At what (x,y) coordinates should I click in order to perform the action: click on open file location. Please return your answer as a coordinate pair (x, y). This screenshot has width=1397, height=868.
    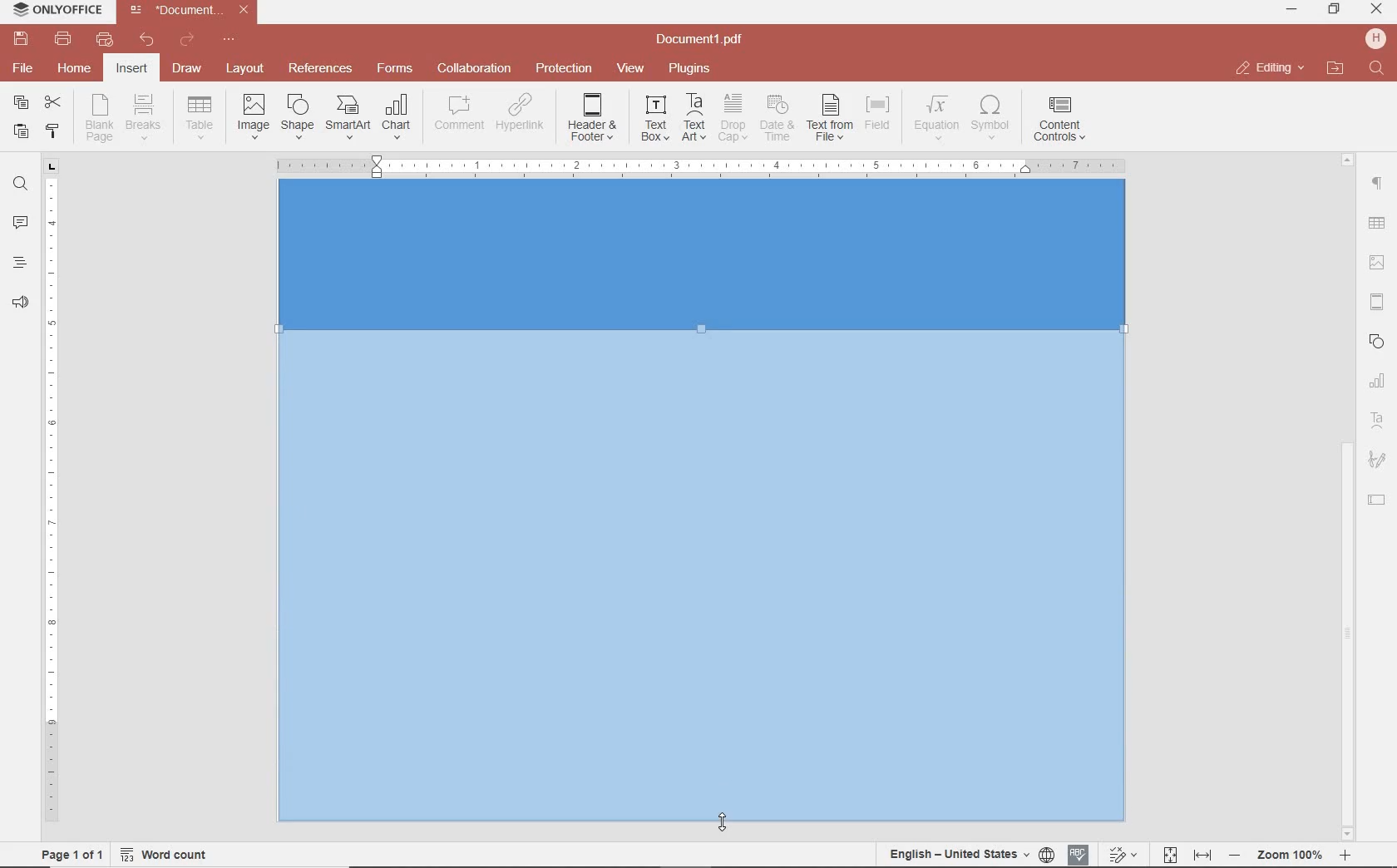
    Looking at the image, I should click on (1335, 69).